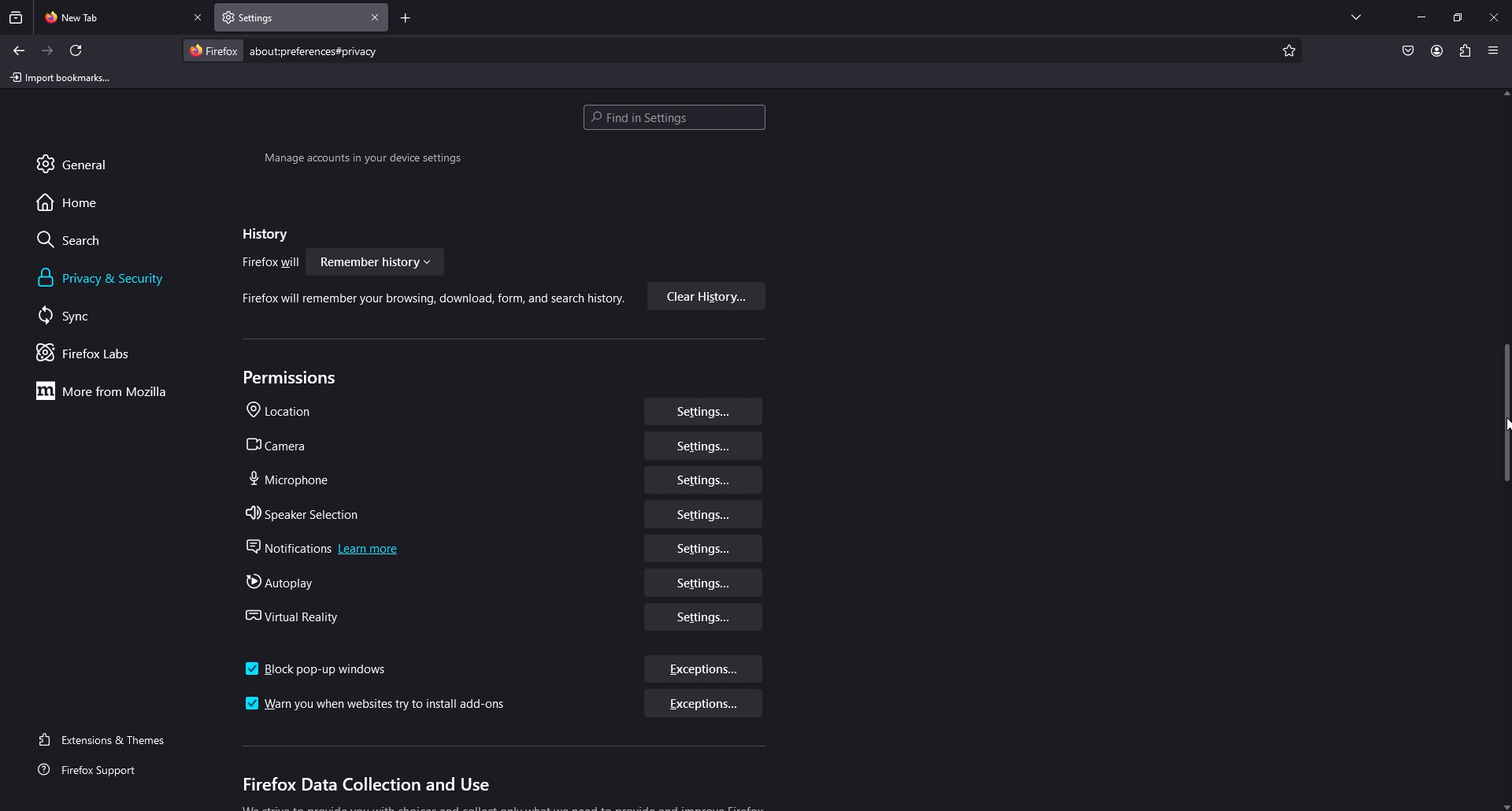 This screenshot has height=811, width=1512. I want to click on exceptions, so click(701, 705).